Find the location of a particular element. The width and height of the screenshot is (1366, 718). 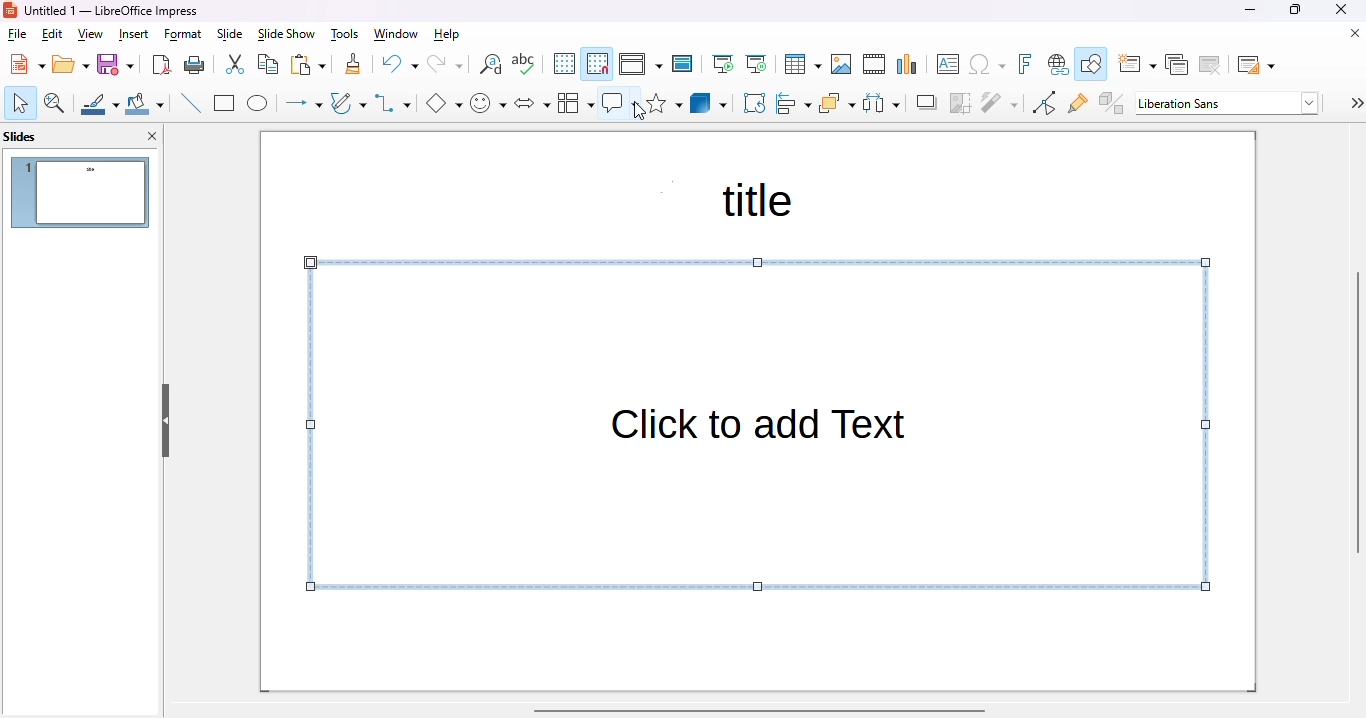

help is located at coordinates (447, 35).